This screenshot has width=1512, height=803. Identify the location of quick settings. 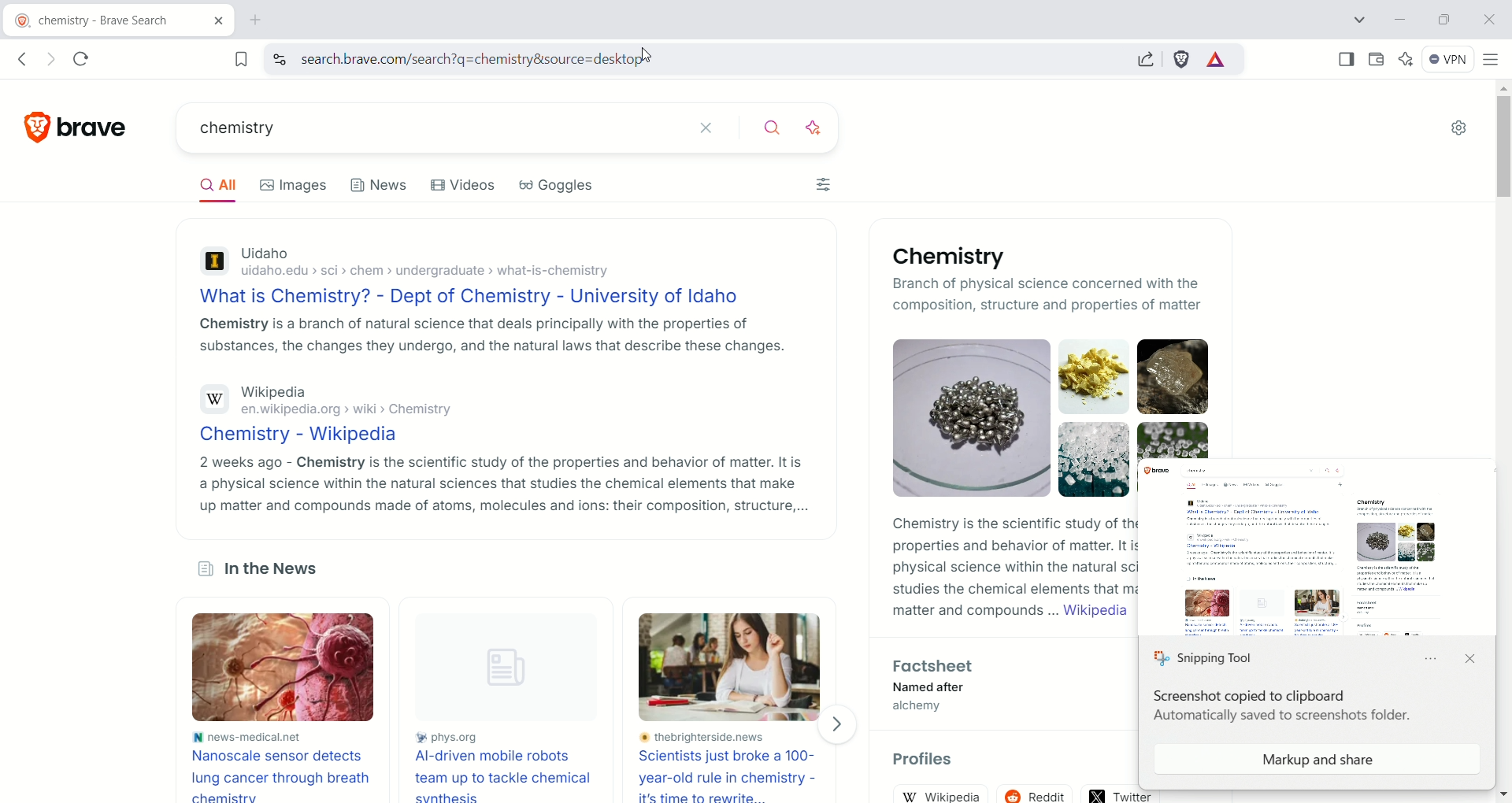
(1458, 129).